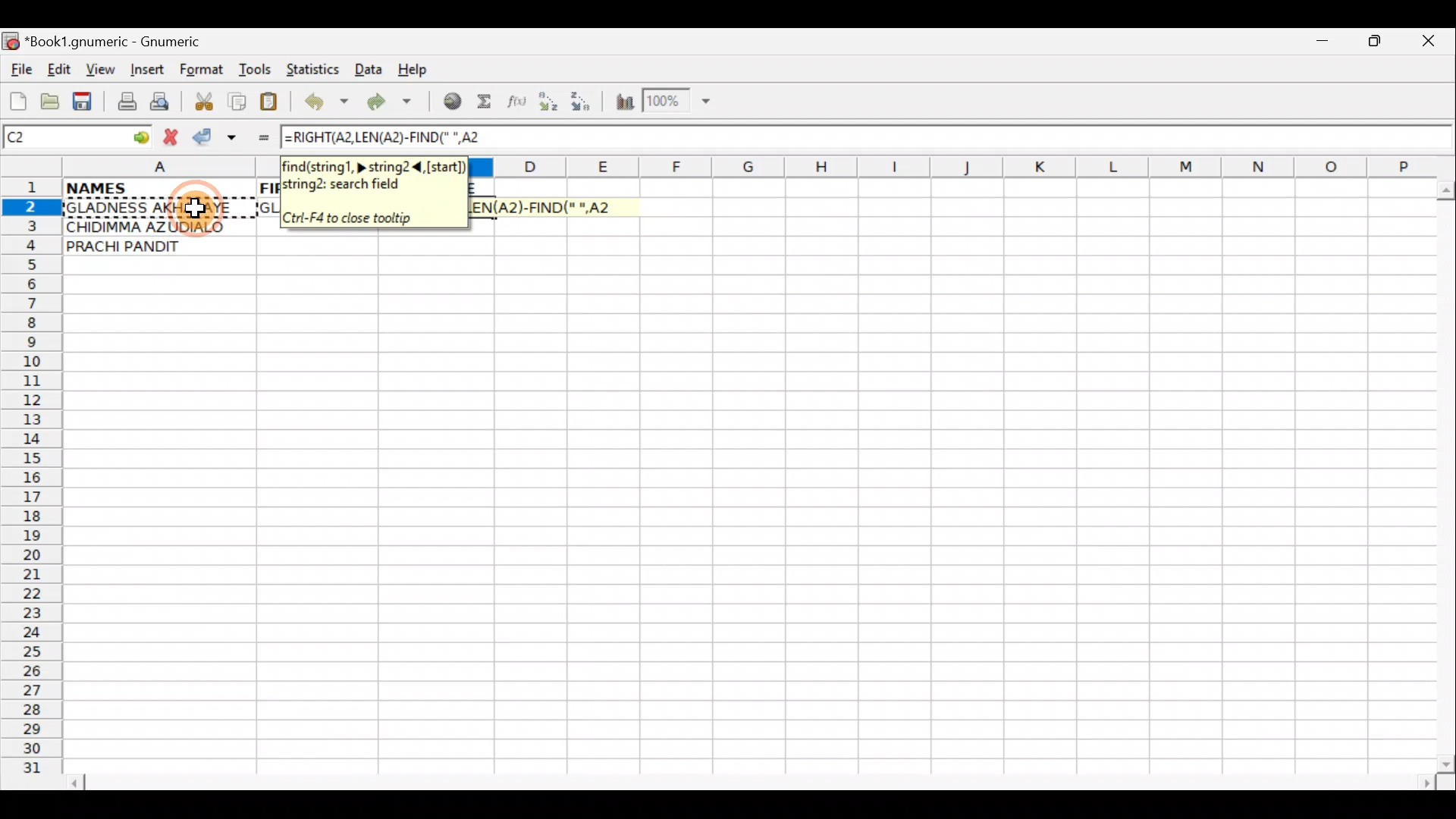 The height and width of the screenshot is (819, 1456). What do you see at coordinates (86, 102) in the screenshot?
I see `Save current workbook` at bounding box center [86, 102].